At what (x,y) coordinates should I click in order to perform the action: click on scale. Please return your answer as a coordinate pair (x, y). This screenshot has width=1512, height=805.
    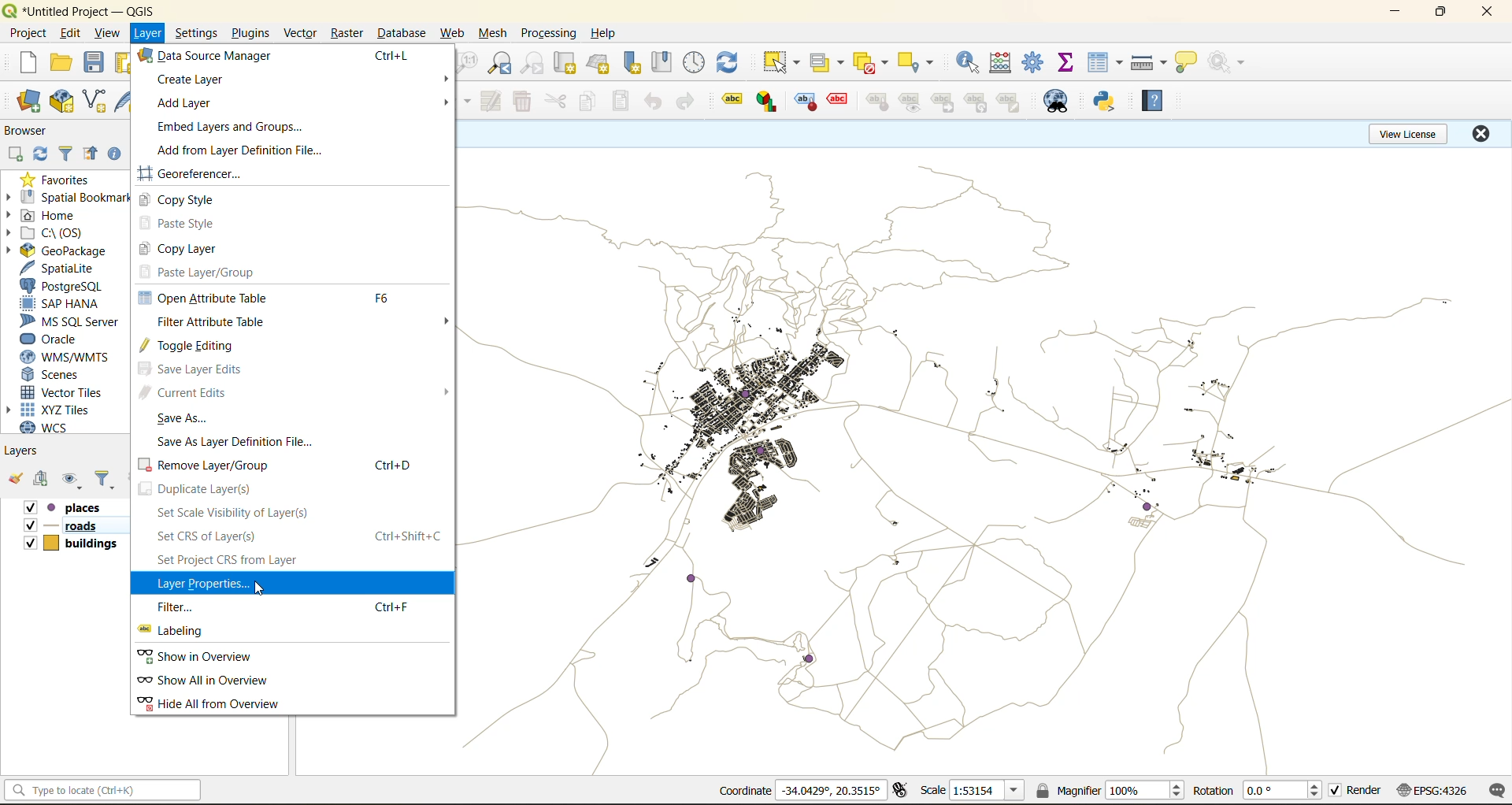
    Looking at the image, I should click on (976, 791).